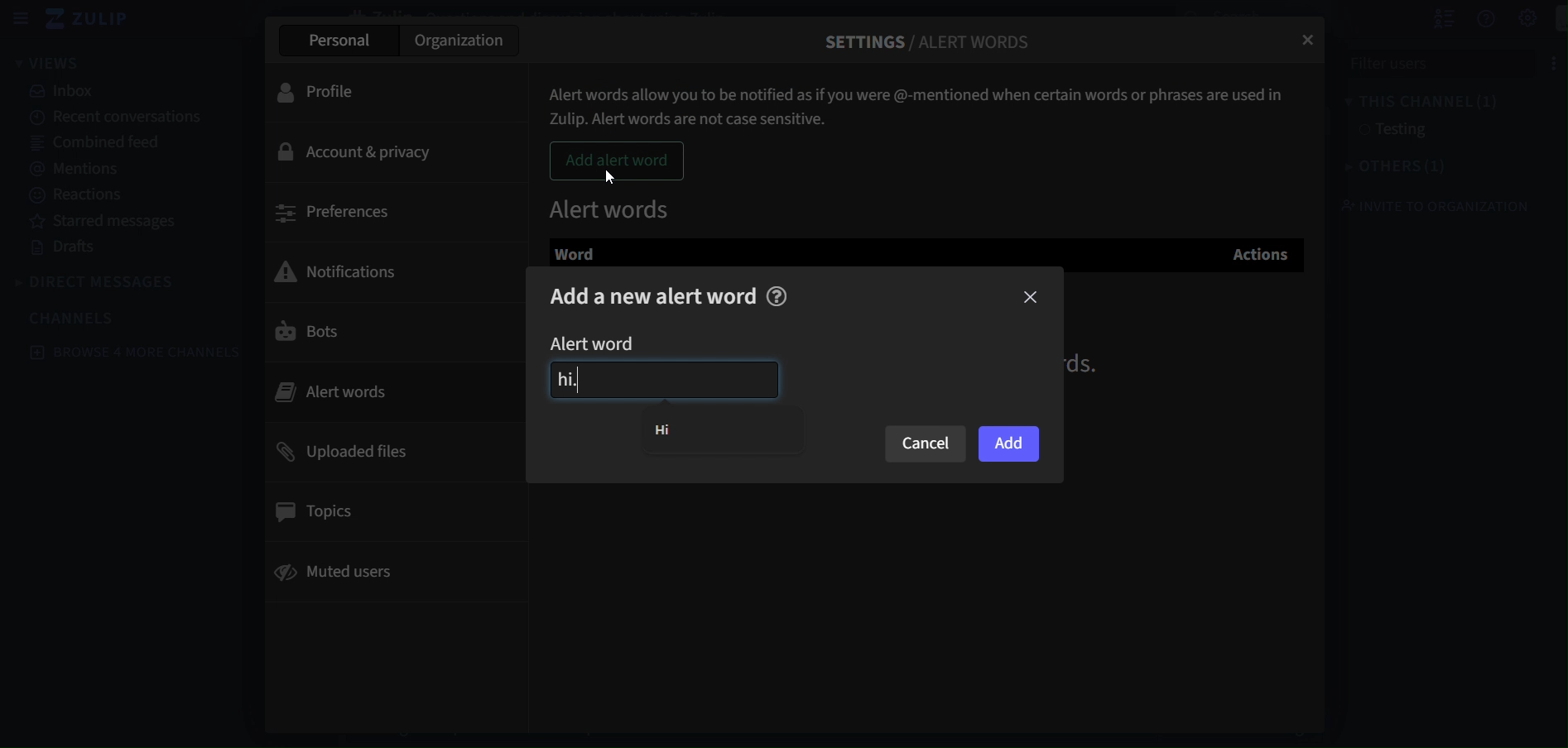 The height and width of the screenshot is (748, 1568). What do you see at coordinates (1537, 61) in the screenshot?
I see `options` at bounding box center [1537, 61].